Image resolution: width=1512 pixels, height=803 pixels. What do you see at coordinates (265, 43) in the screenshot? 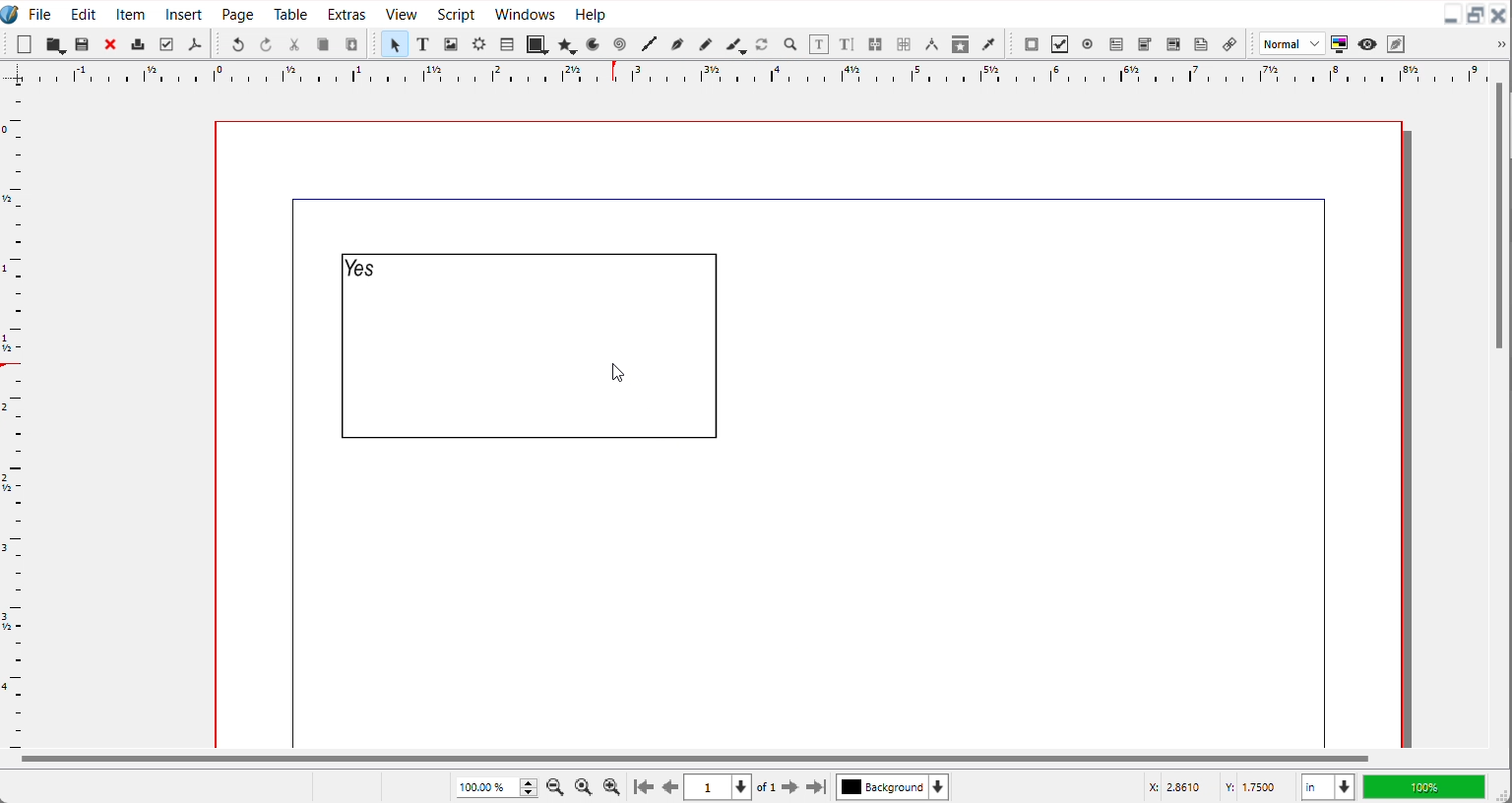
I see `Redo` at bounding box center [265, 43].